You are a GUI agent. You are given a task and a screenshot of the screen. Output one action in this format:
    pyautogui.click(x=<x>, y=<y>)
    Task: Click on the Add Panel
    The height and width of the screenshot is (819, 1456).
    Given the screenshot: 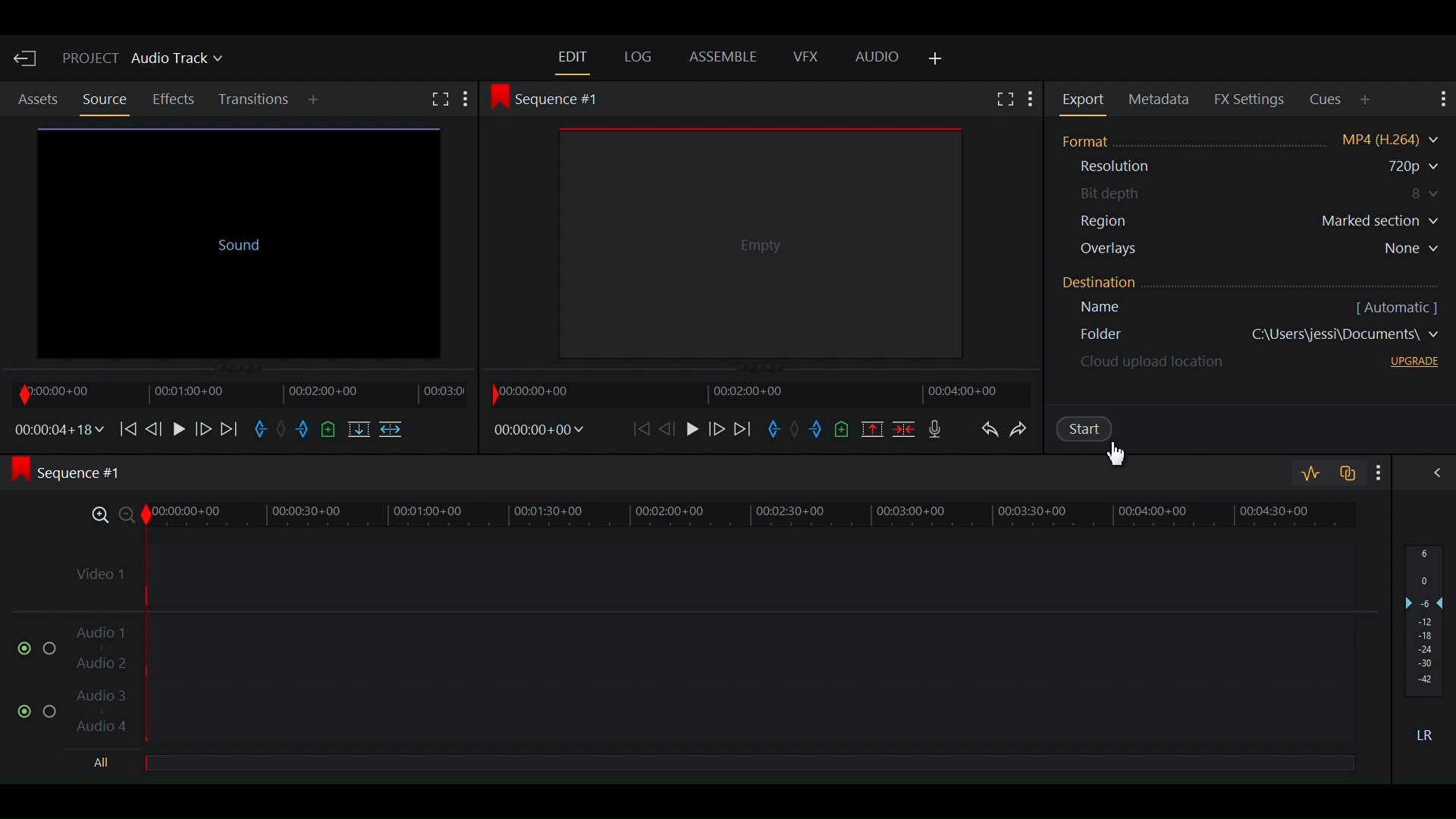 What is the action you would take?
    pyautogui.click(x=936, y=60)
    